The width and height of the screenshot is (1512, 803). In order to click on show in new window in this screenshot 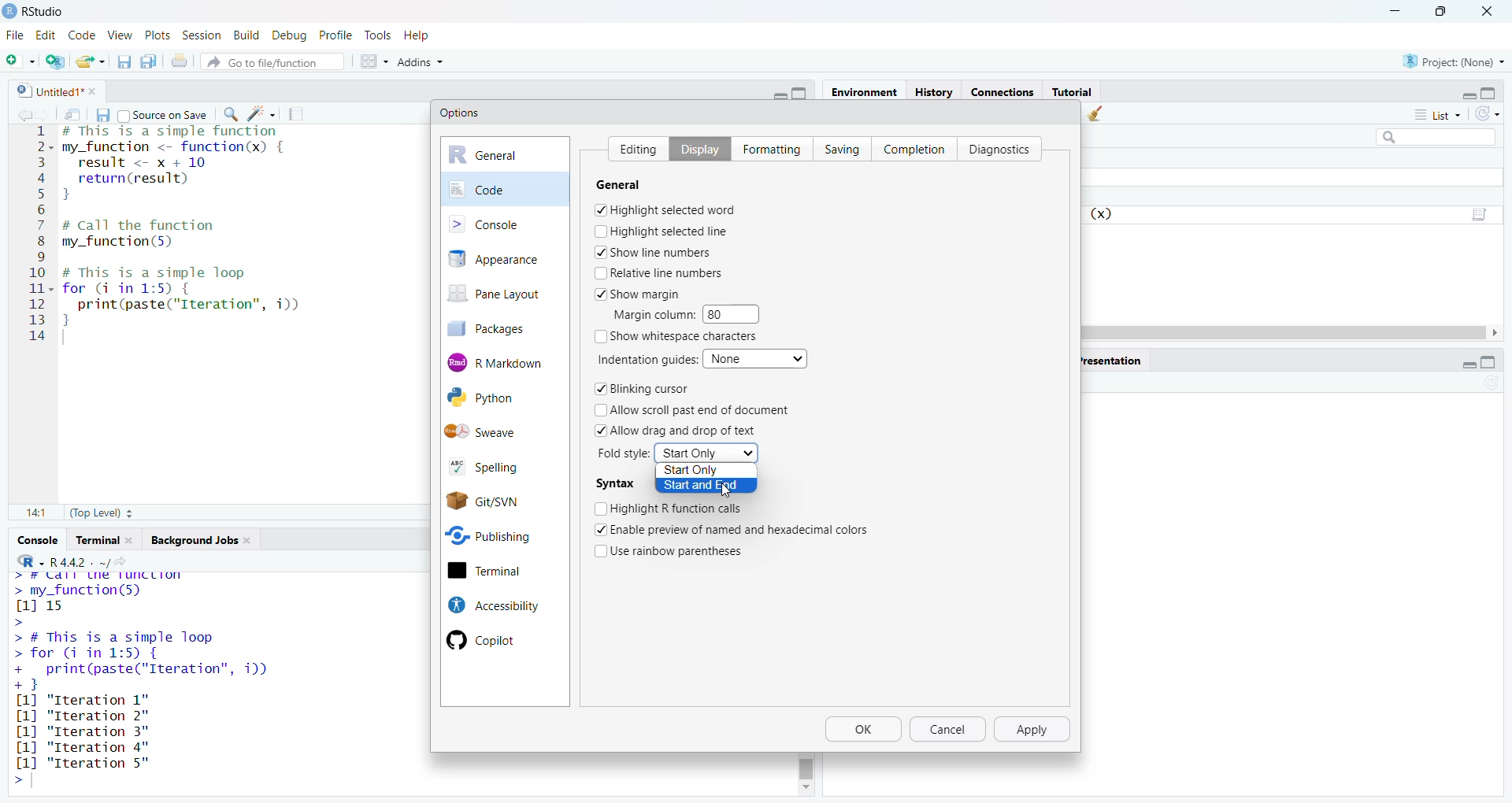, I will do `click(74, 113)`.